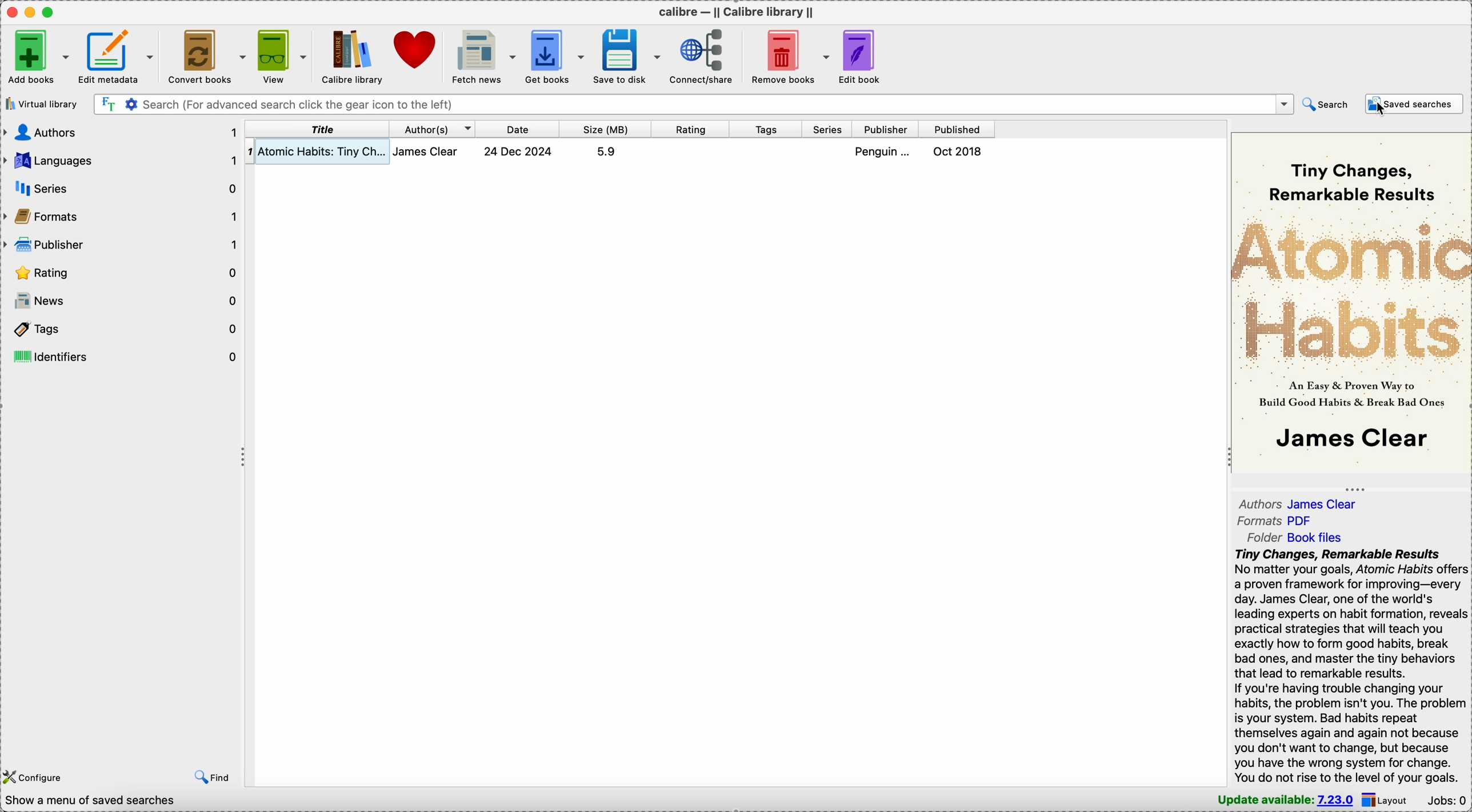 Image resolution: width=1472 pixels, height=812 pixels. What do you see at coordinates (791, 55) in the screenshot?
I see `remove books` at bounding box center [791, 55].